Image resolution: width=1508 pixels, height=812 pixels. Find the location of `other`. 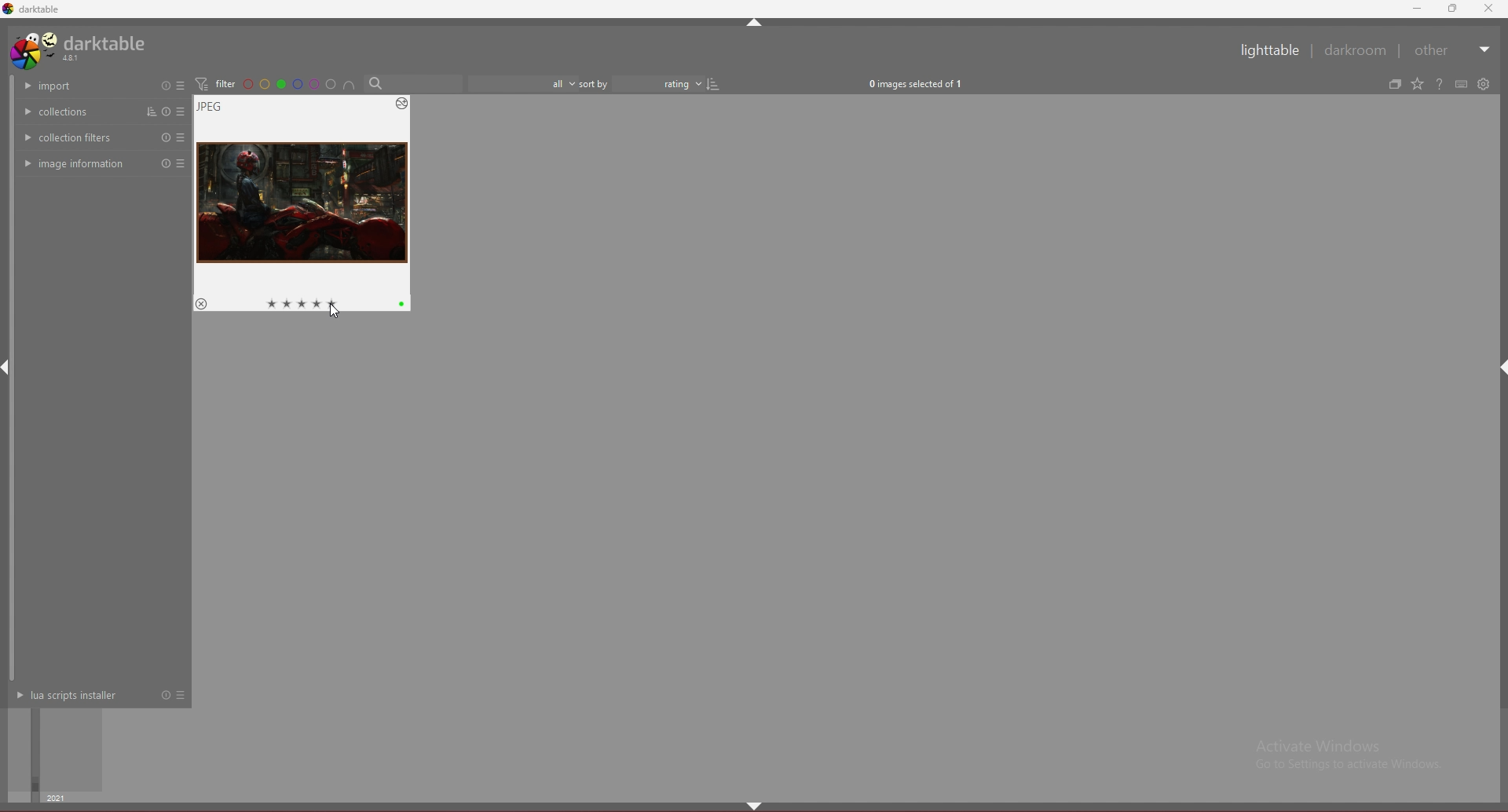

other is located at coordinates (1454, 49).